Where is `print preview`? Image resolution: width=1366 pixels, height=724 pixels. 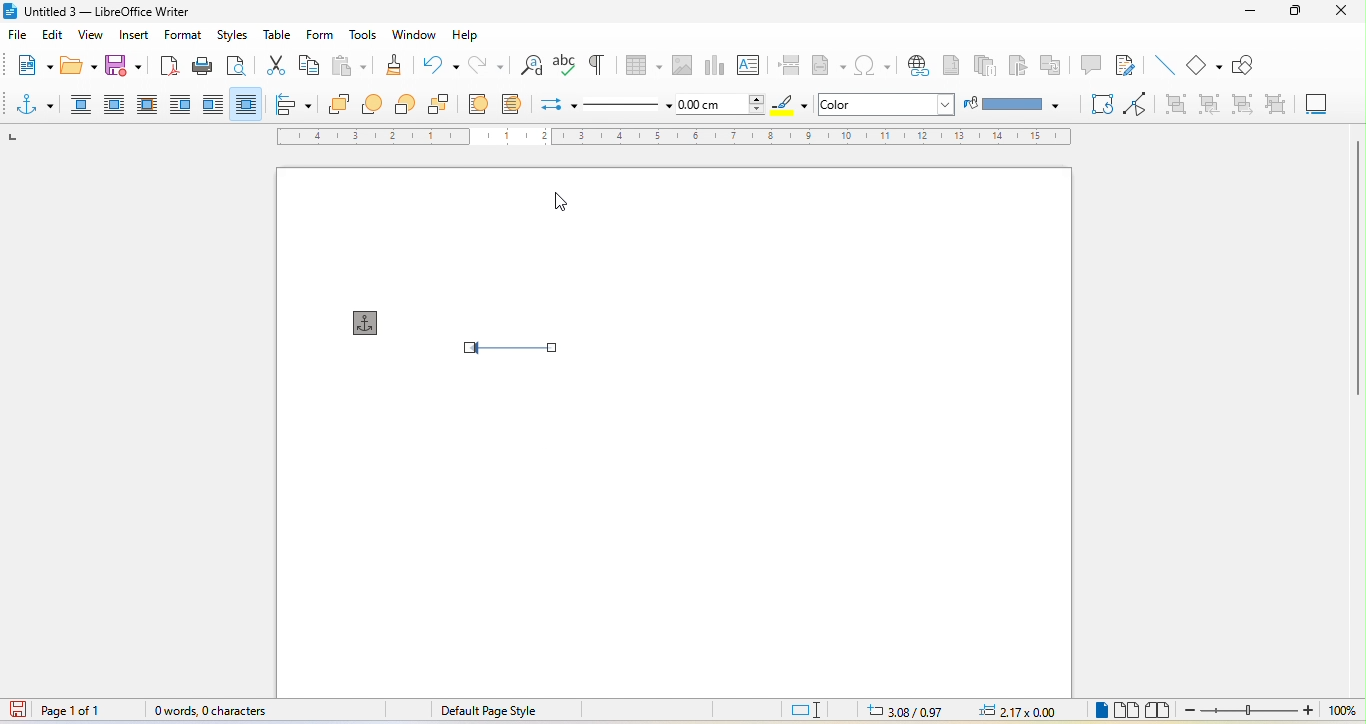 print preview is located at coordinates (236, 66).